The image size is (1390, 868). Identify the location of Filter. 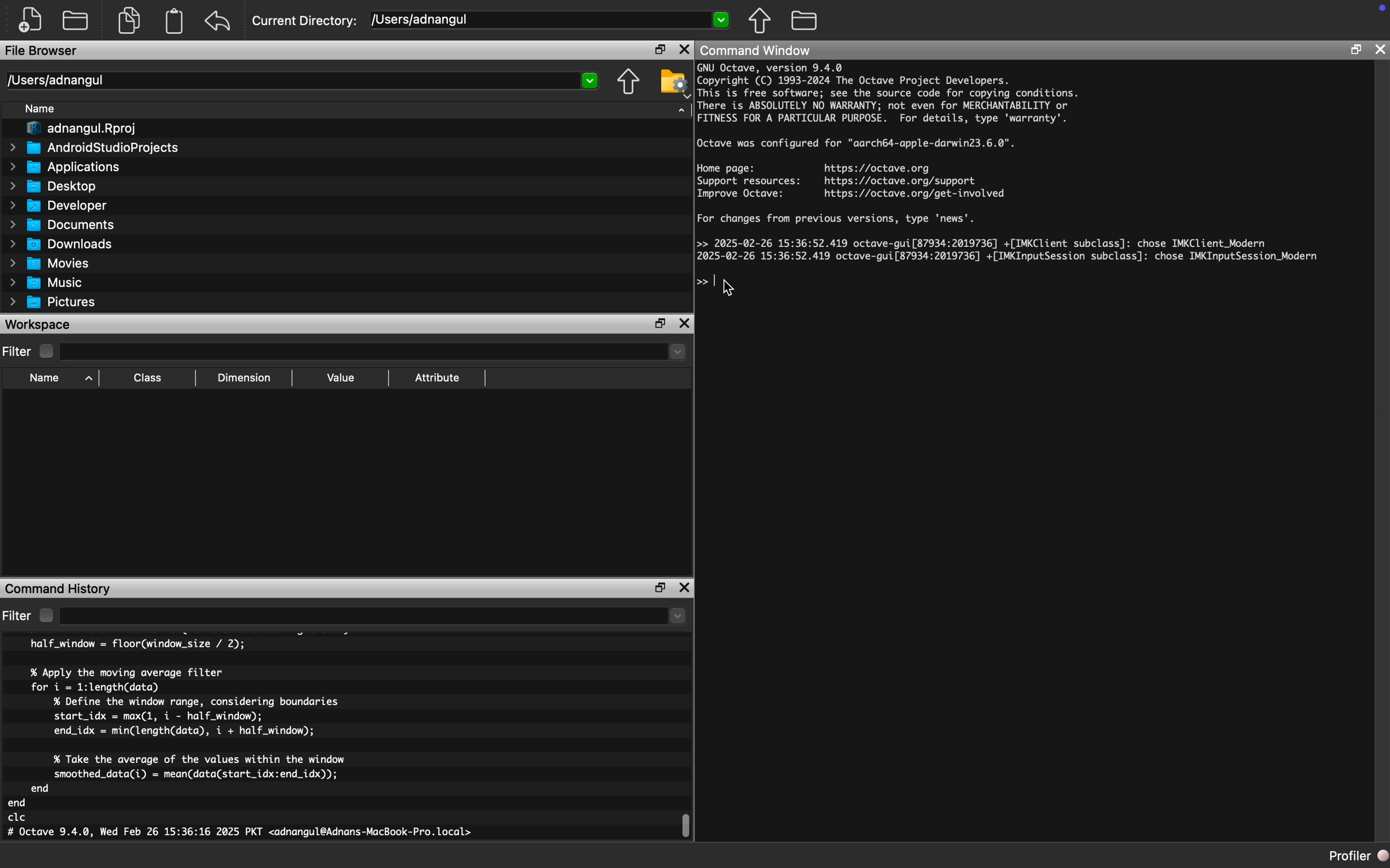
(18, 617).